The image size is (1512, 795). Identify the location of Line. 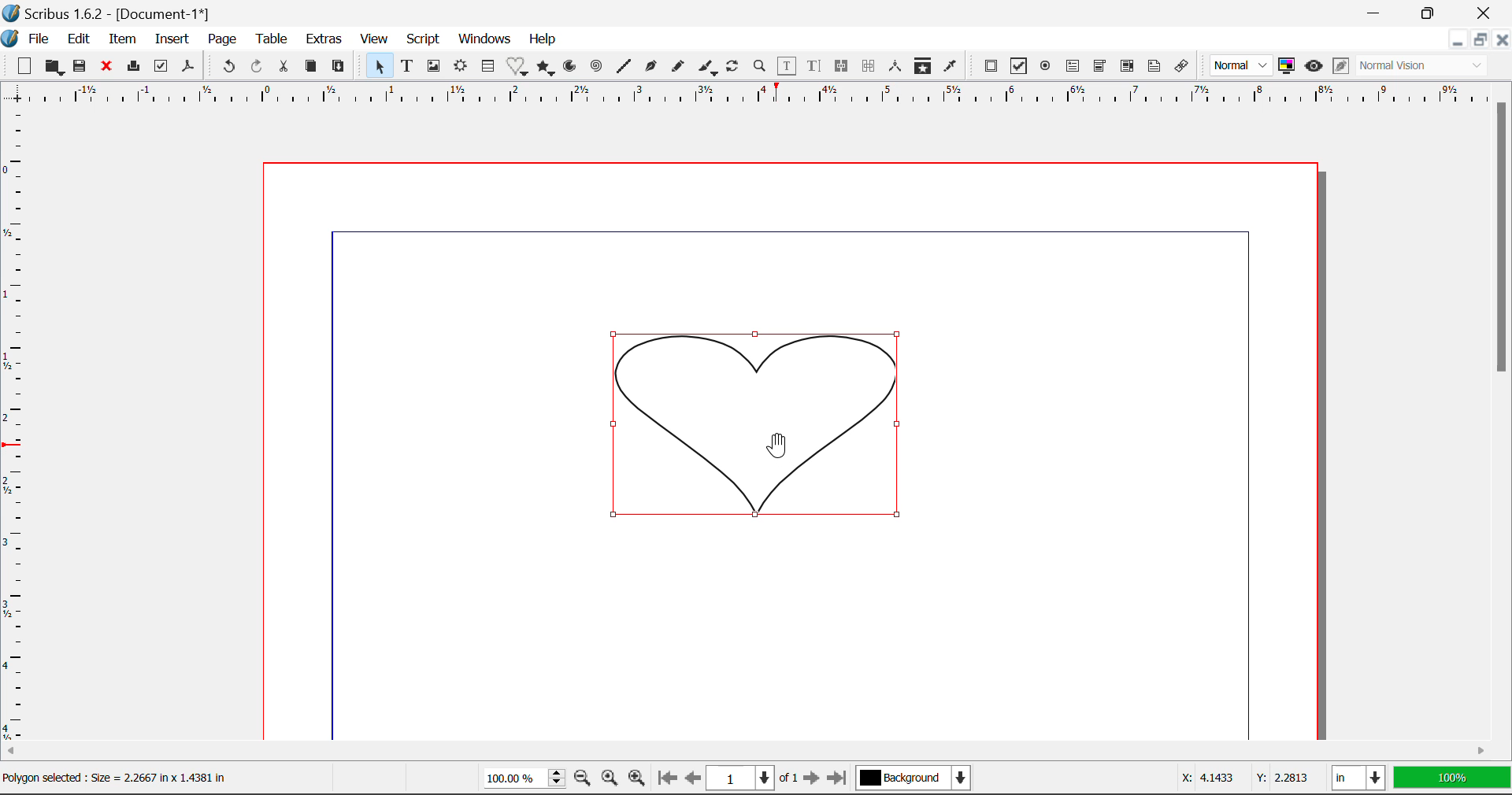
(625, 67).